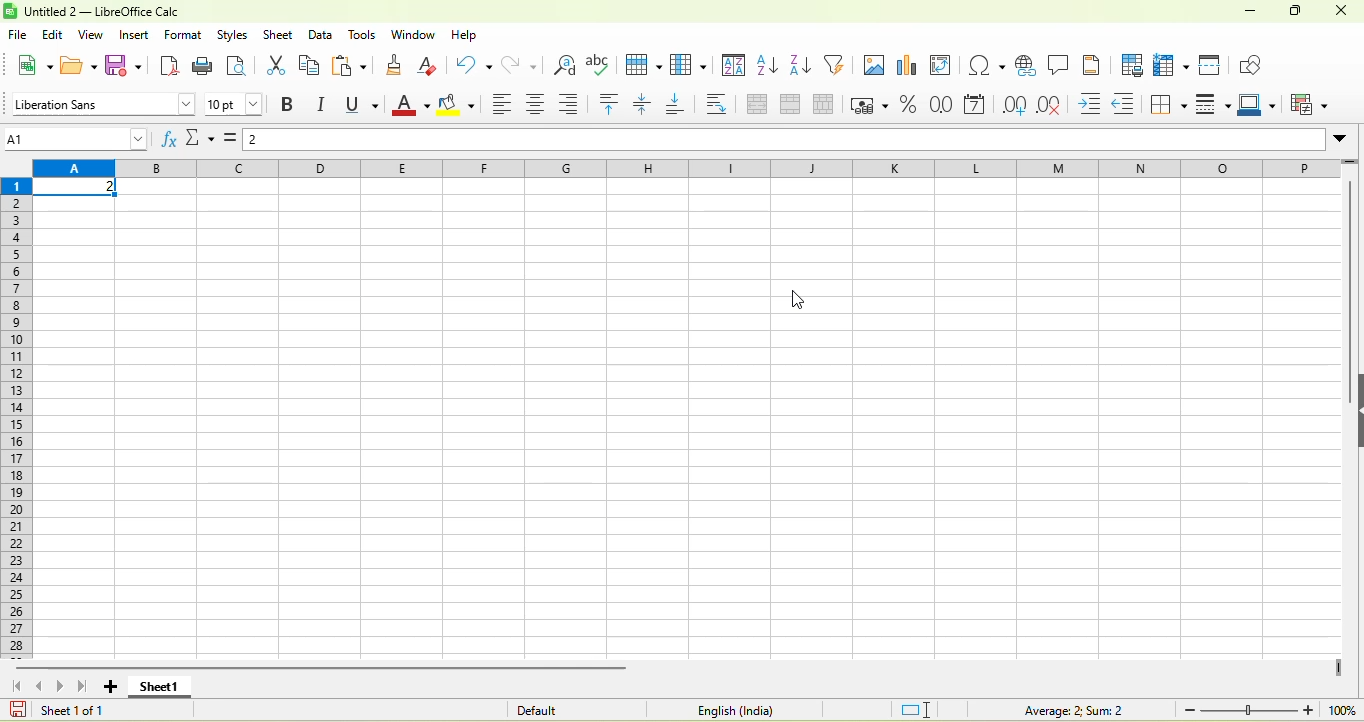 This screenshot has width=1364, height=722. What do you see at coordinates (913, 106) in the screenshot?
I see `format as percent` at bounding box center [913, 106].